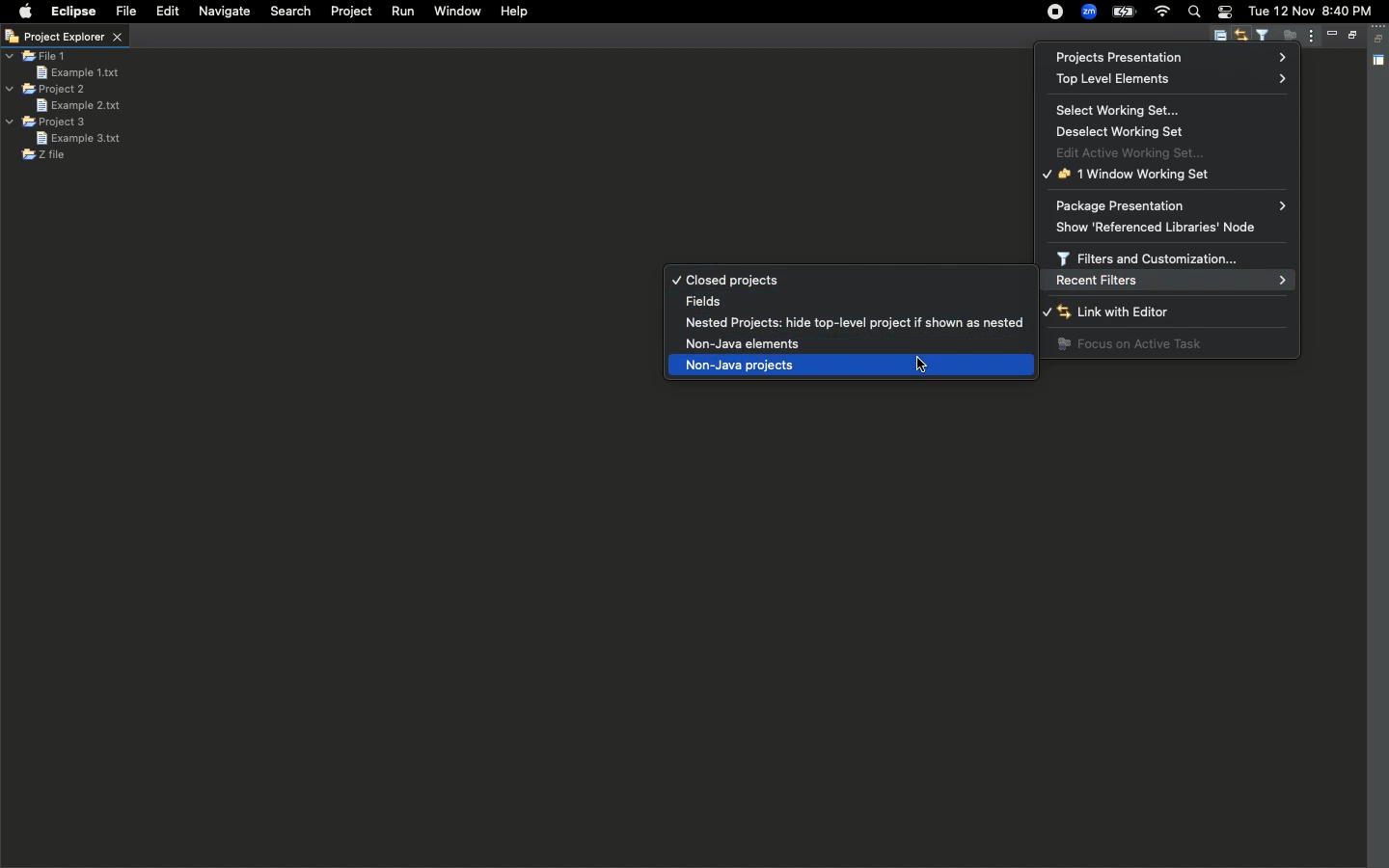 The height and width of the screenshot is (868, 1389). I want to click on Fields, so click(715, 303).